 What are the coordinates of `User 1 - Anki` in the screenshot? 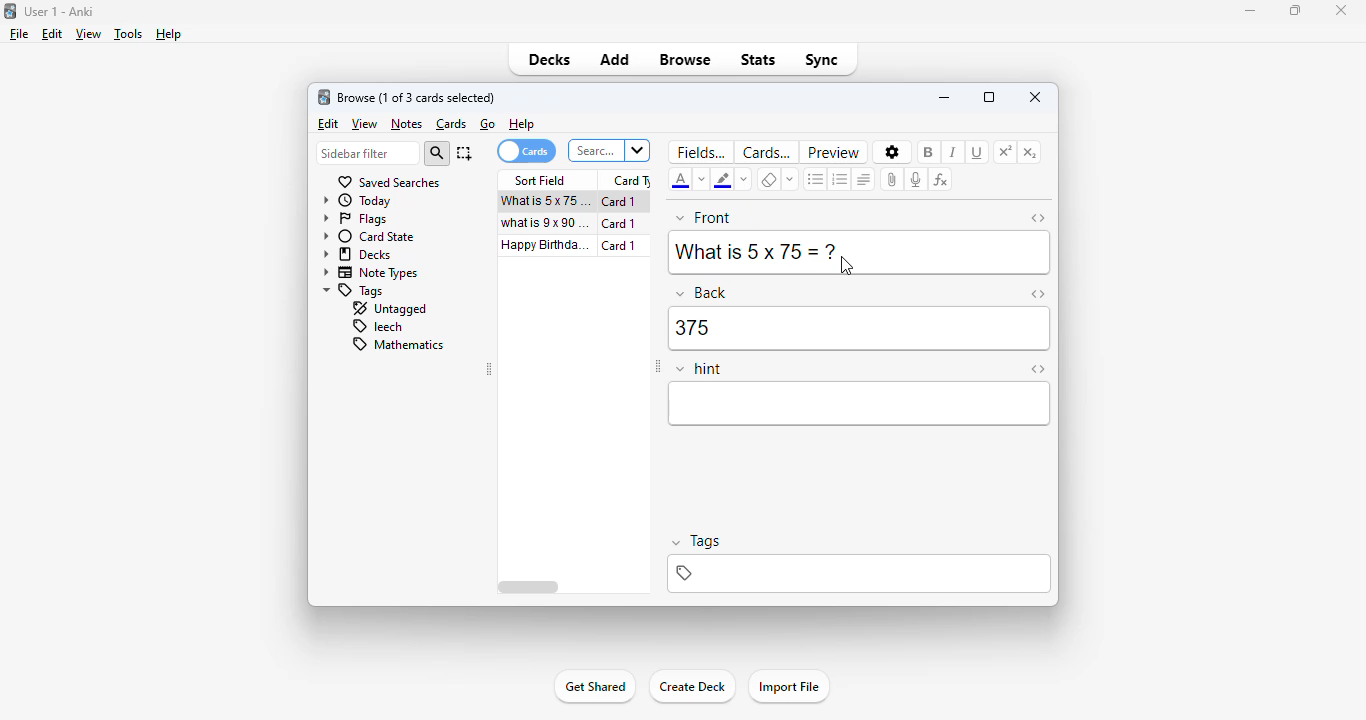 It's located at (60, 11).